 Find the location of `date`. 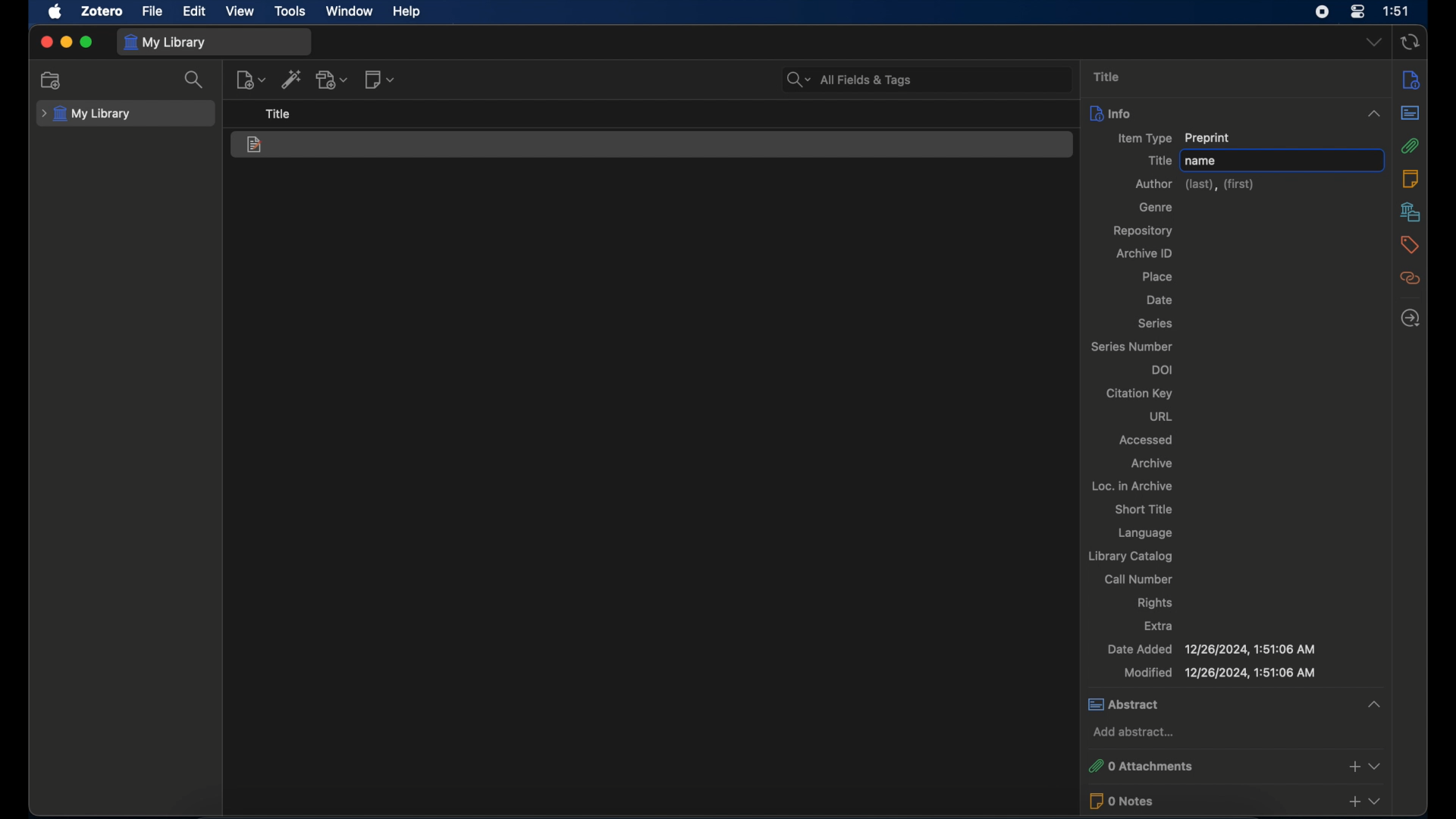

date is located at coordinates (1160, 300).